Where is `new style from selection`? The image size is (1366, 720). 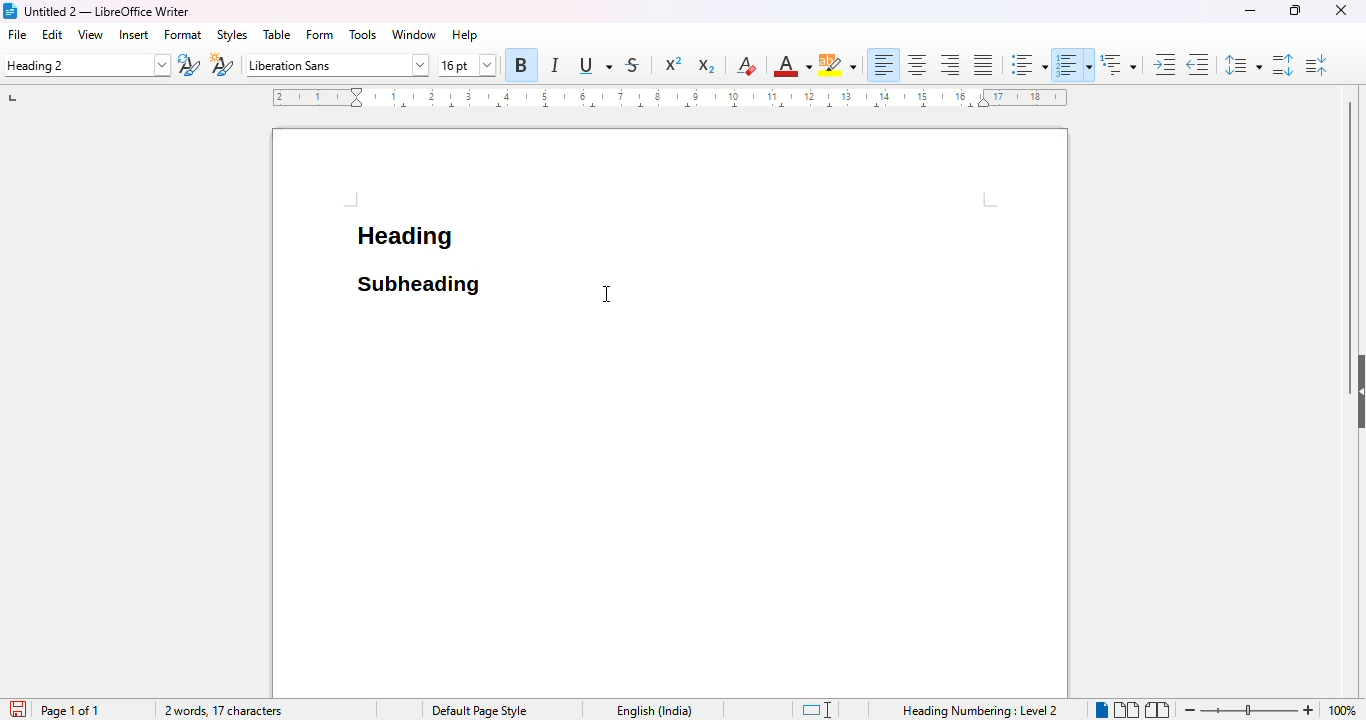
new style from selection is located at coordinates (222, 65).